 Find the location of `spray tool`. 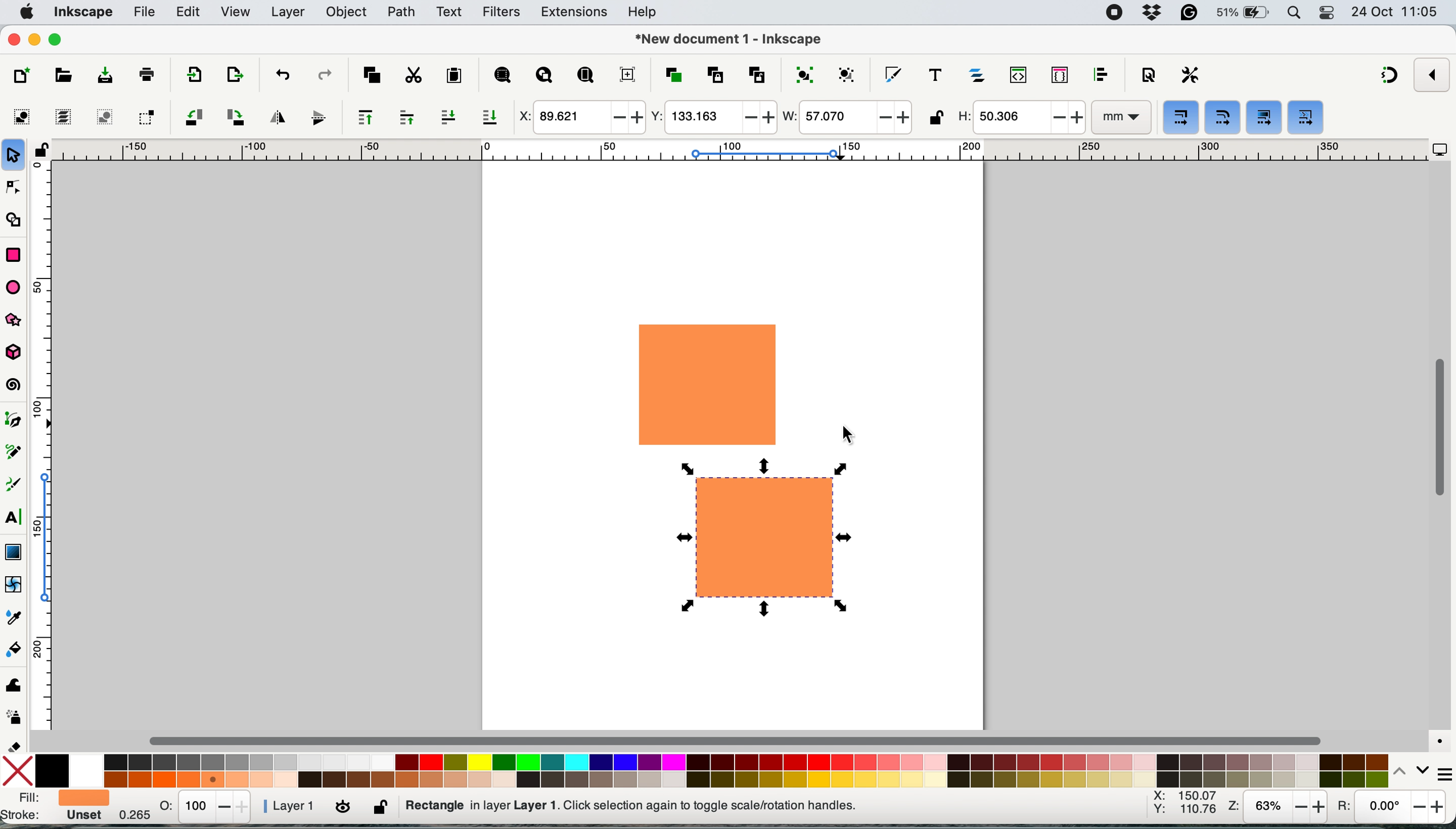

spray tool is located at coordinates (15, 717).